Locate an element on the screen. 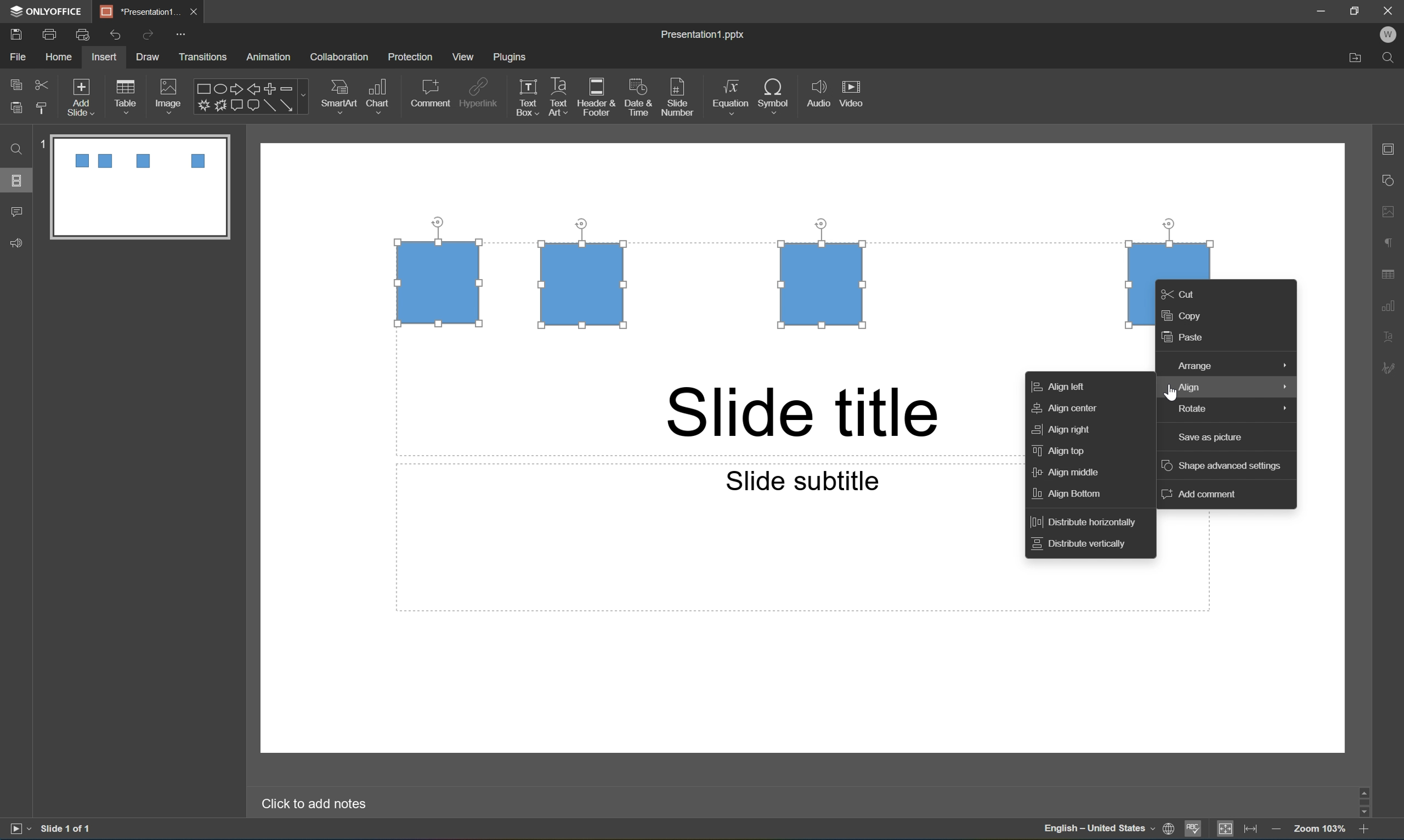 The image size is (1404, 840). chart is located at coordinates (381, 93).